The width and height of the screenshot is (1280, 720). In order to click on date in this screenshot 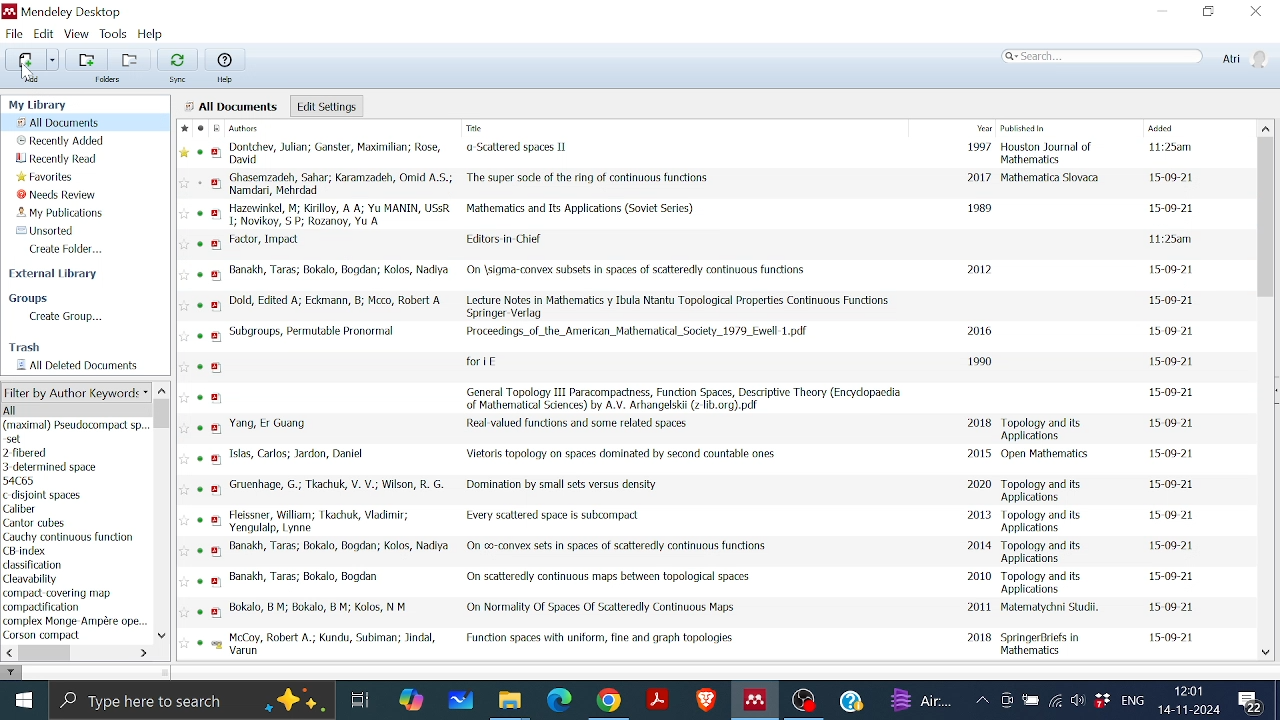, I will do `click(1173, 177)`.